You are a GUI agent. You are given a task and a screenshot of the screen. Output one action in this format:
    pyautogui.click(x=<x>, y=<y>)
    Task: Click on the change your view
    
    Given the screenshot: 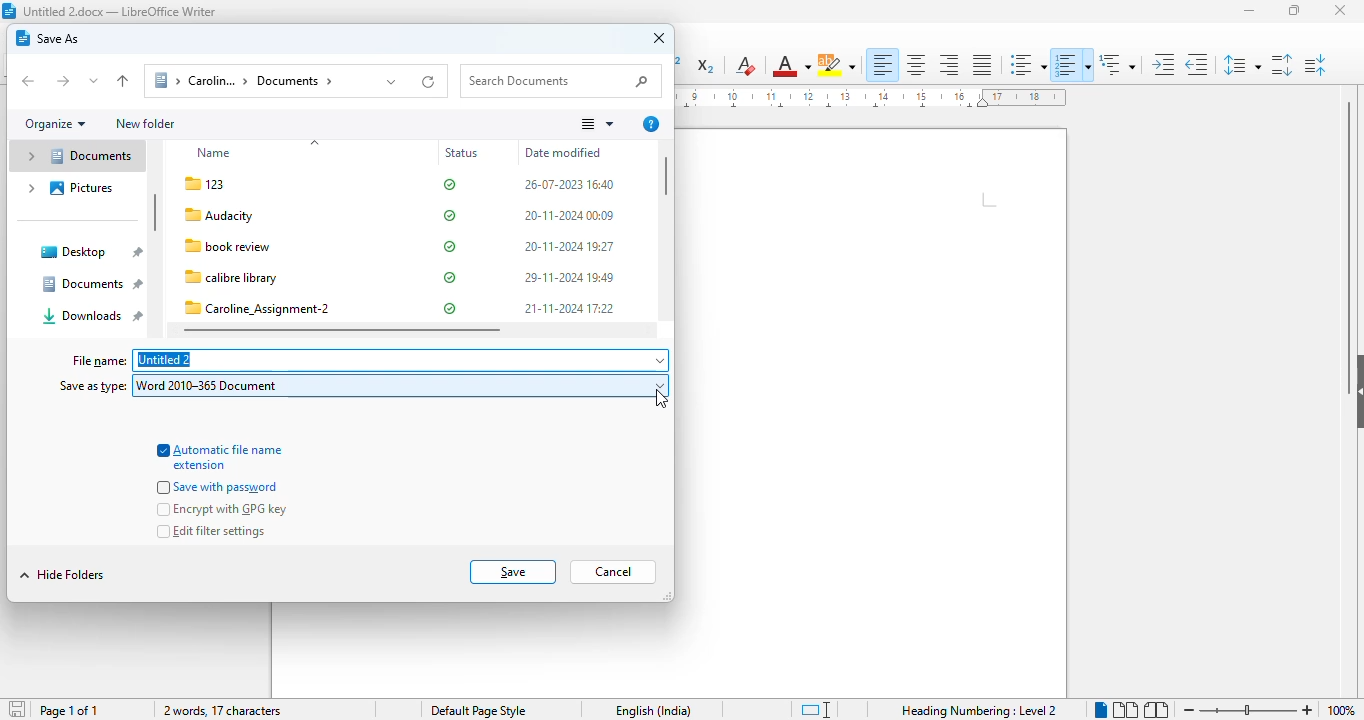 What is the action you would take?
    pyautogui.click(x=596, y=124)
    